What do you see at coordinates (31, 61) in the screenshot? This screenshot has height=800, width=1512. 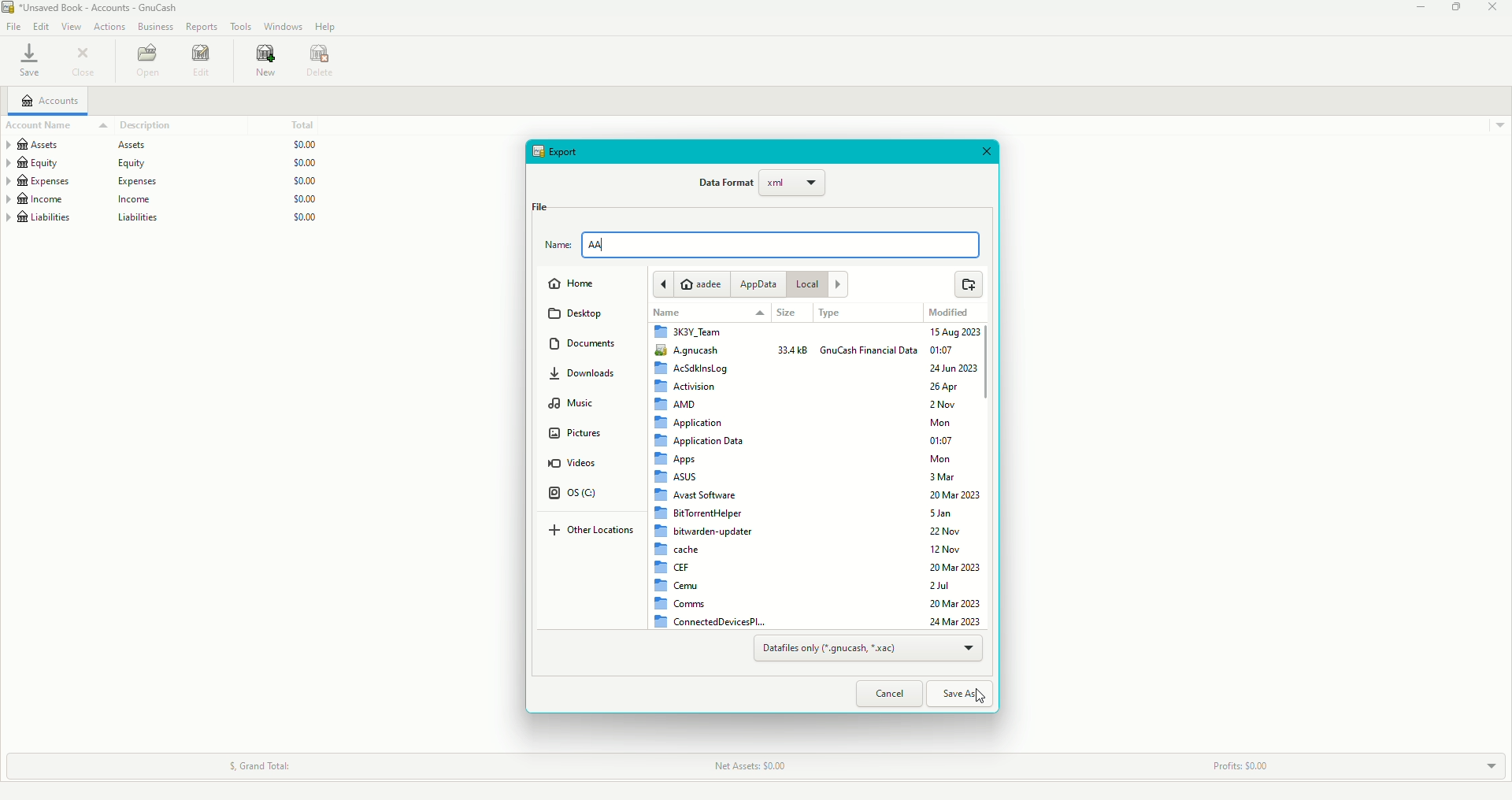 I see `Save` at bounding box center [31, 61].